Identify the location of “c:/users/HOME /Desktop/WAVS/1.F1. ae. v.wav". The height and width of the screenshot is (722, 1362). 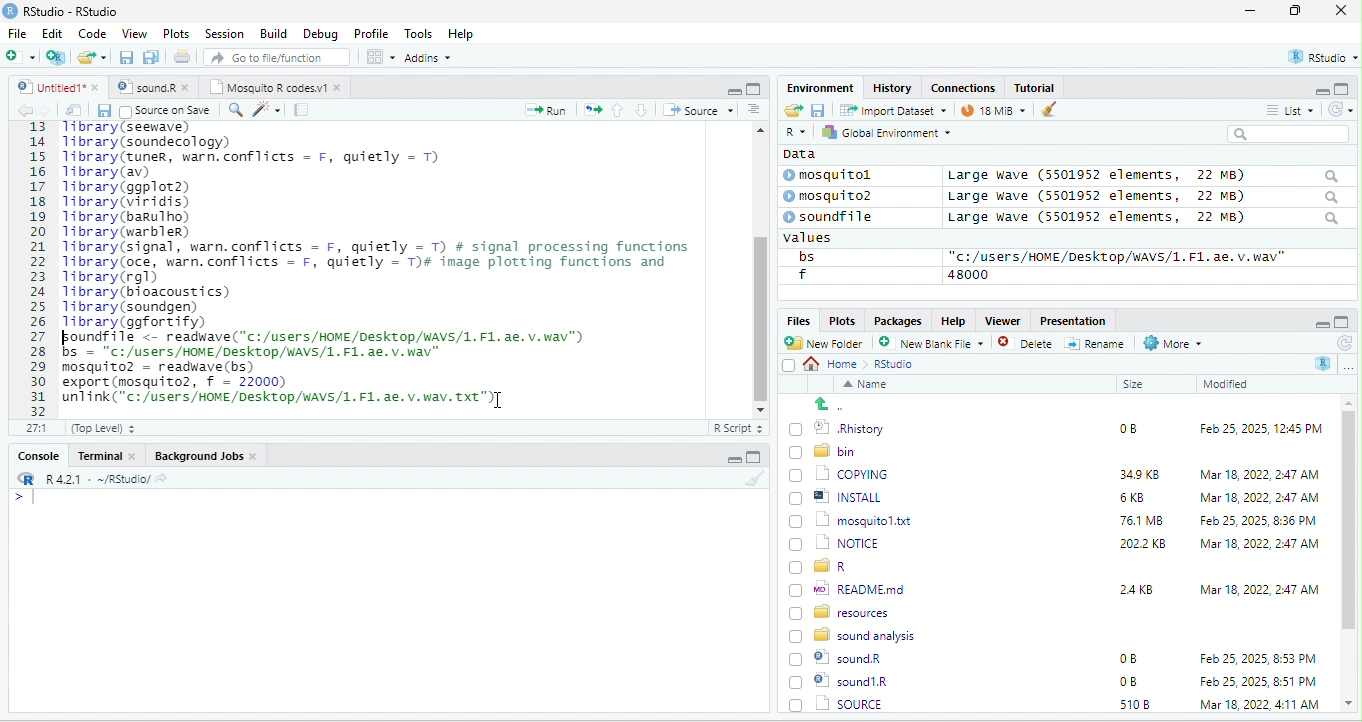
(1117, 256).